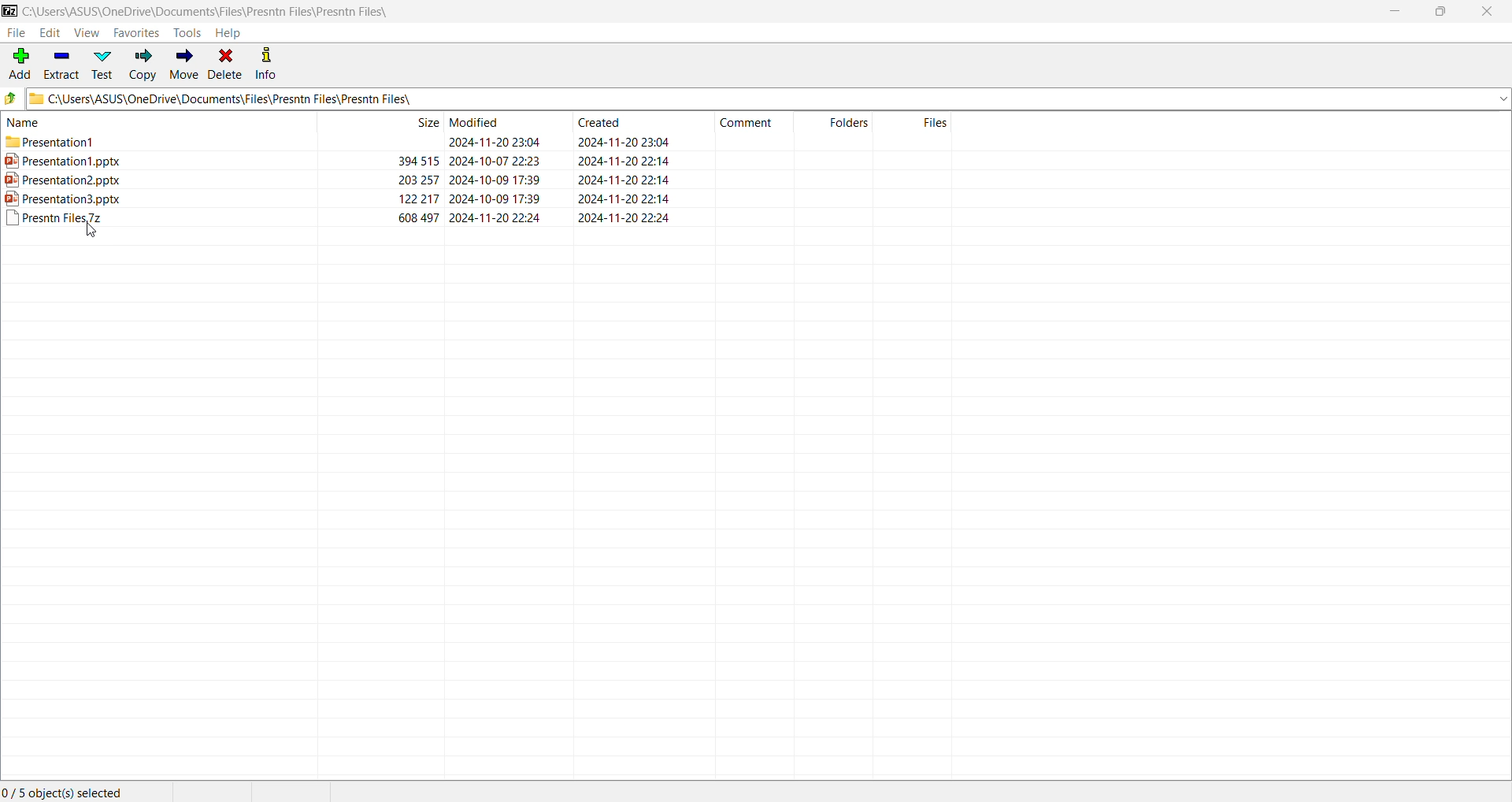  Describe the element at coordinates (617, 141) in the screenshot. I see `2024-11-20 23:04` at that location.